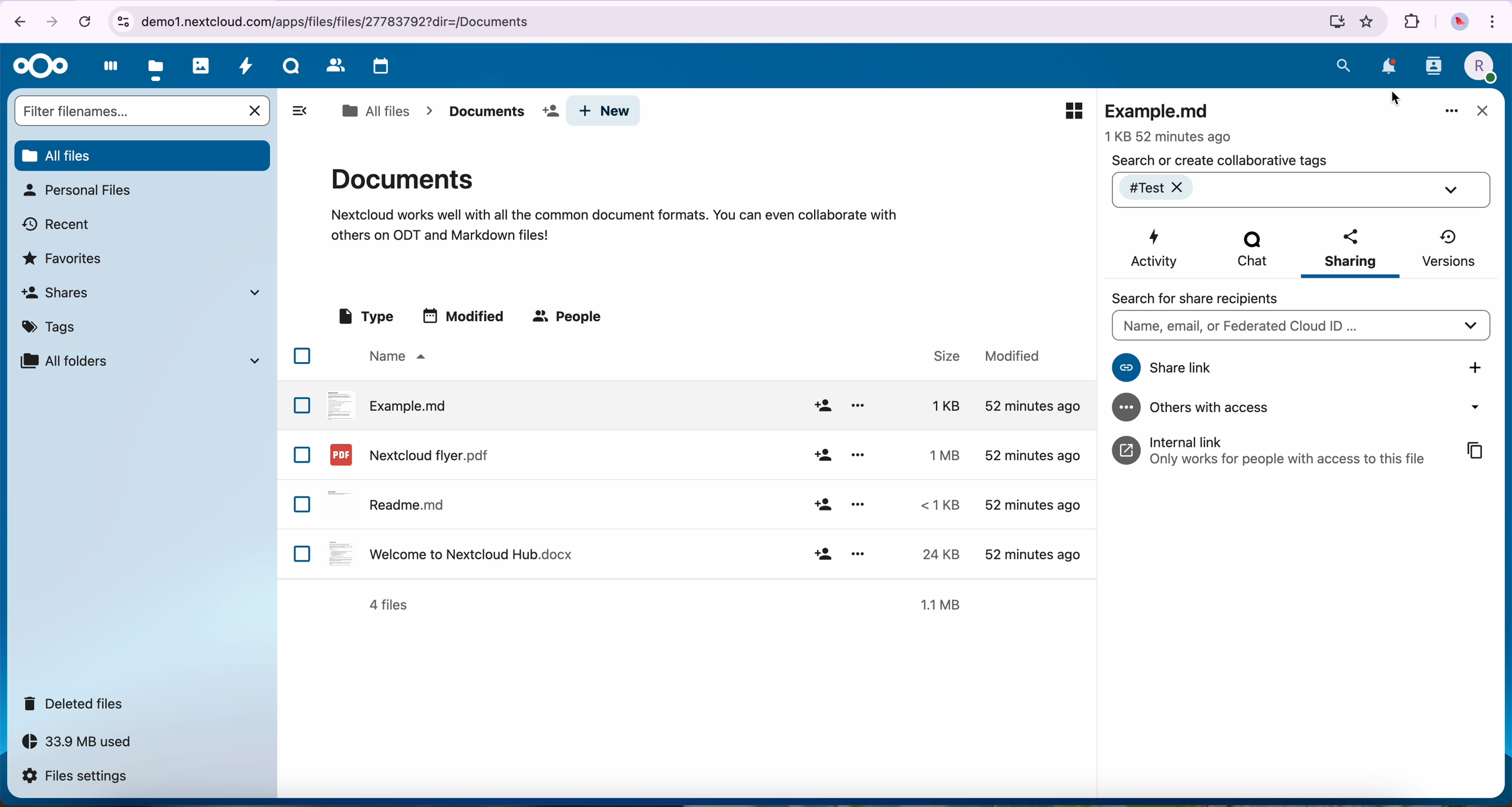 This screenshot has height=807, width=1512. Describe the element at coordinates (1396, 97) in the screenshot. I see `cursor` at that location.